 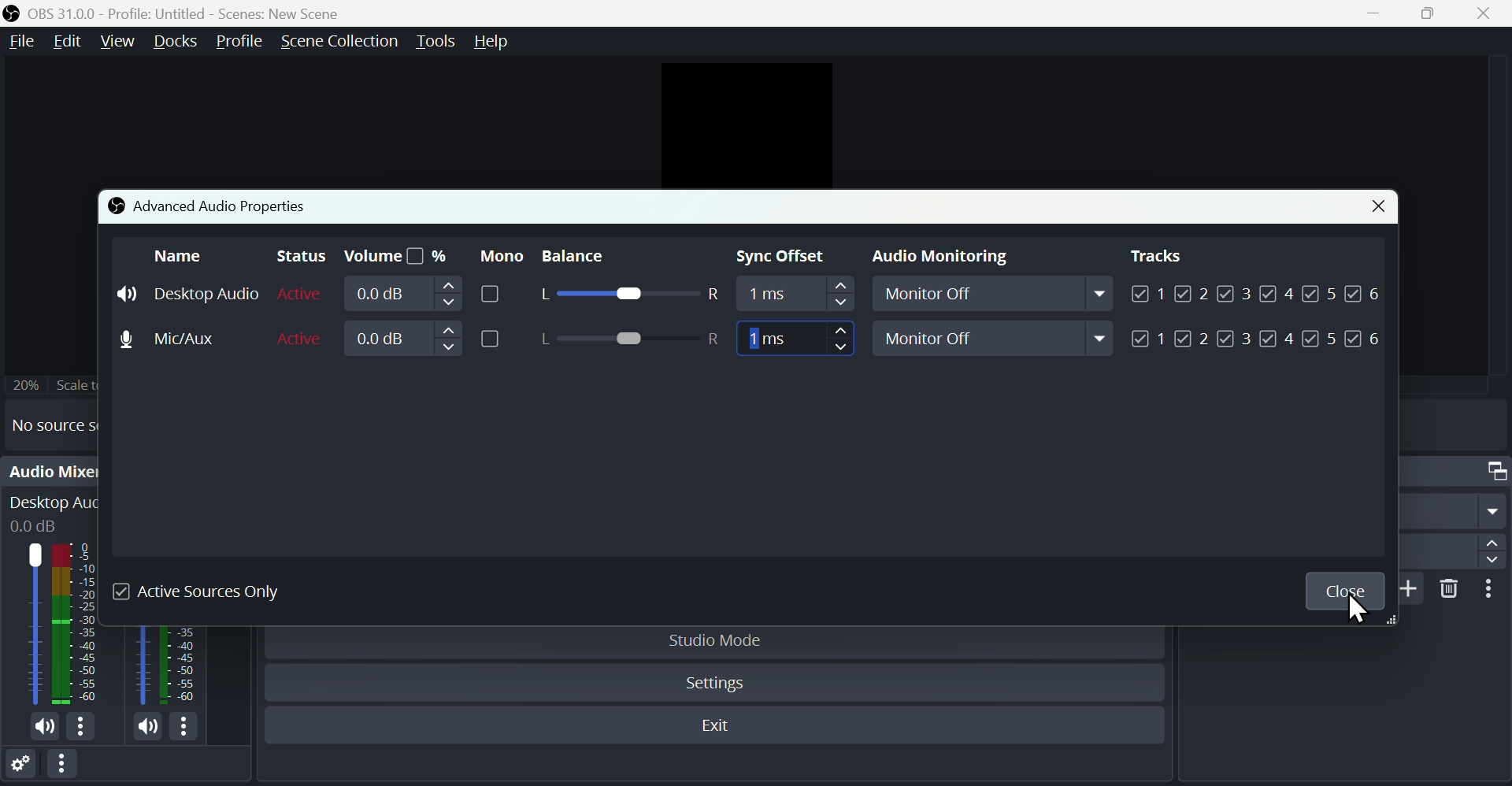 What do you see at coordinates (176, 42) in the screenshot?
I see `Docks` at bounding box center [176, 42].